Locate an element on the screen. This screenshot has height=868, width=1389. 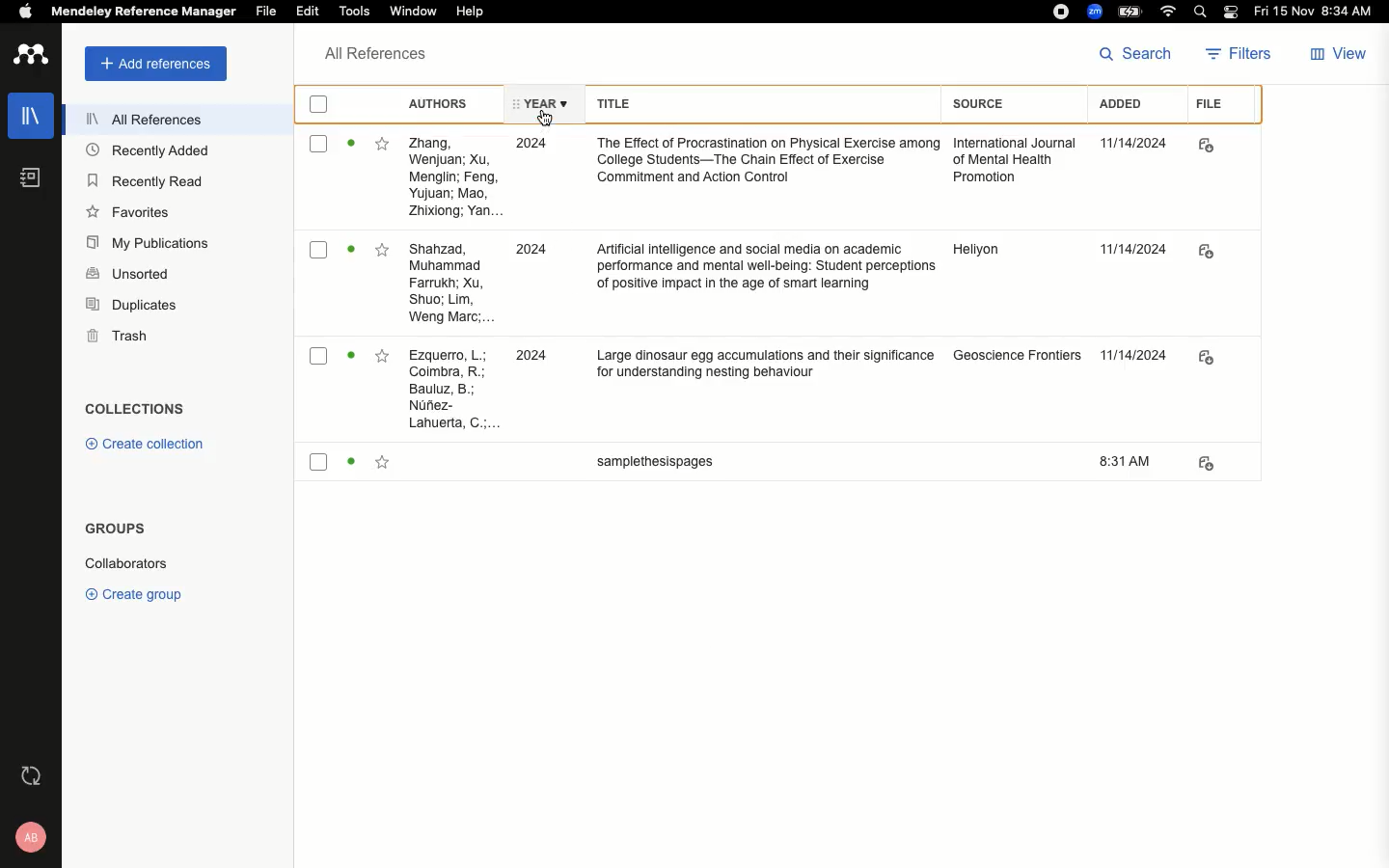
Collaborators is located at coordinates (128, 564).